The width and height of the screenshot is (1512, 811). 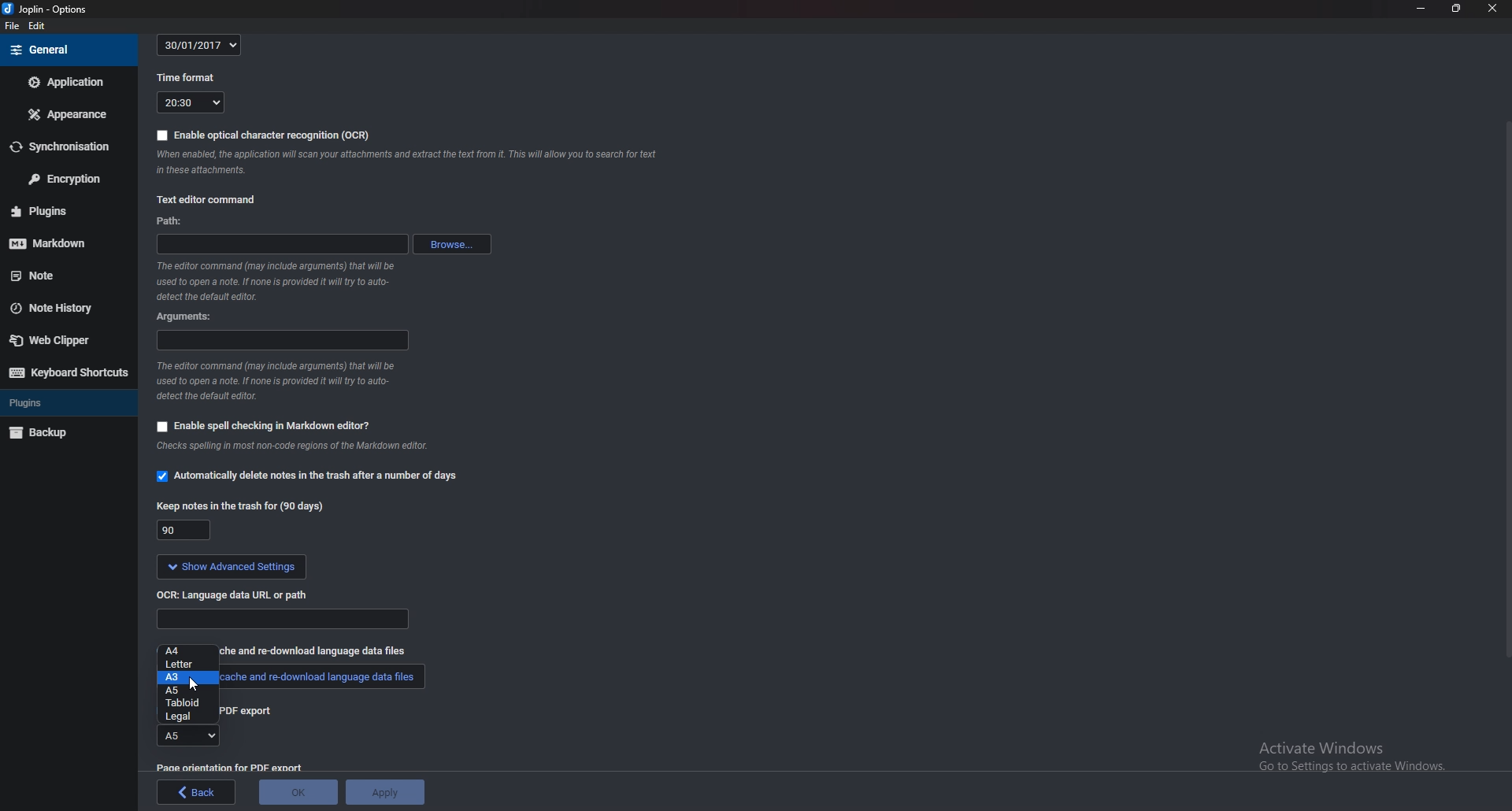 What do you see at coordinates (13, 26) in the screenshot?
I see `file` at bounding box center [13, 26].